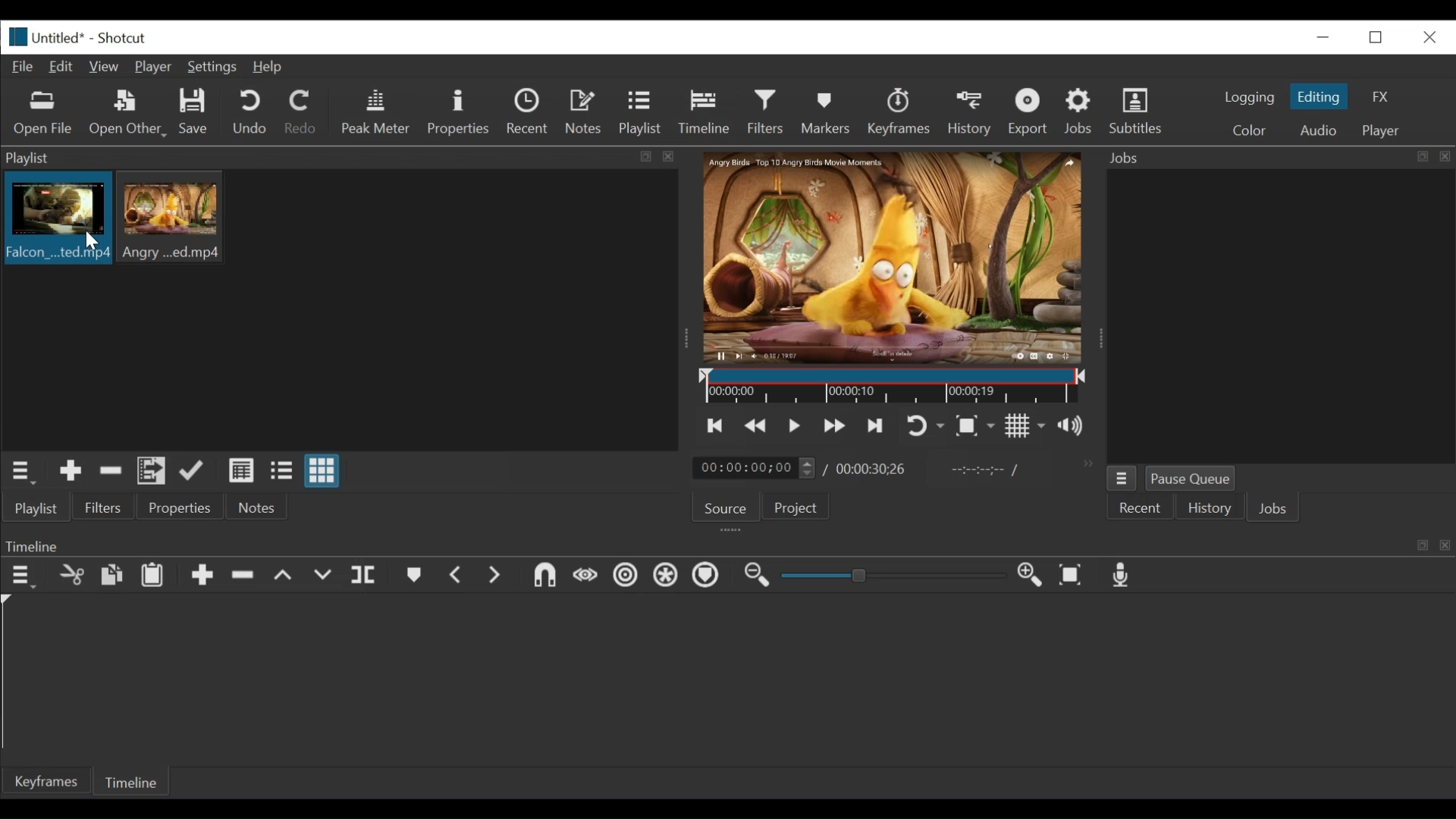 This screenshot has height=819, width=1456. Describe the element at coordinates (242, 470) in the screenshot. I see `view as details` at that location.